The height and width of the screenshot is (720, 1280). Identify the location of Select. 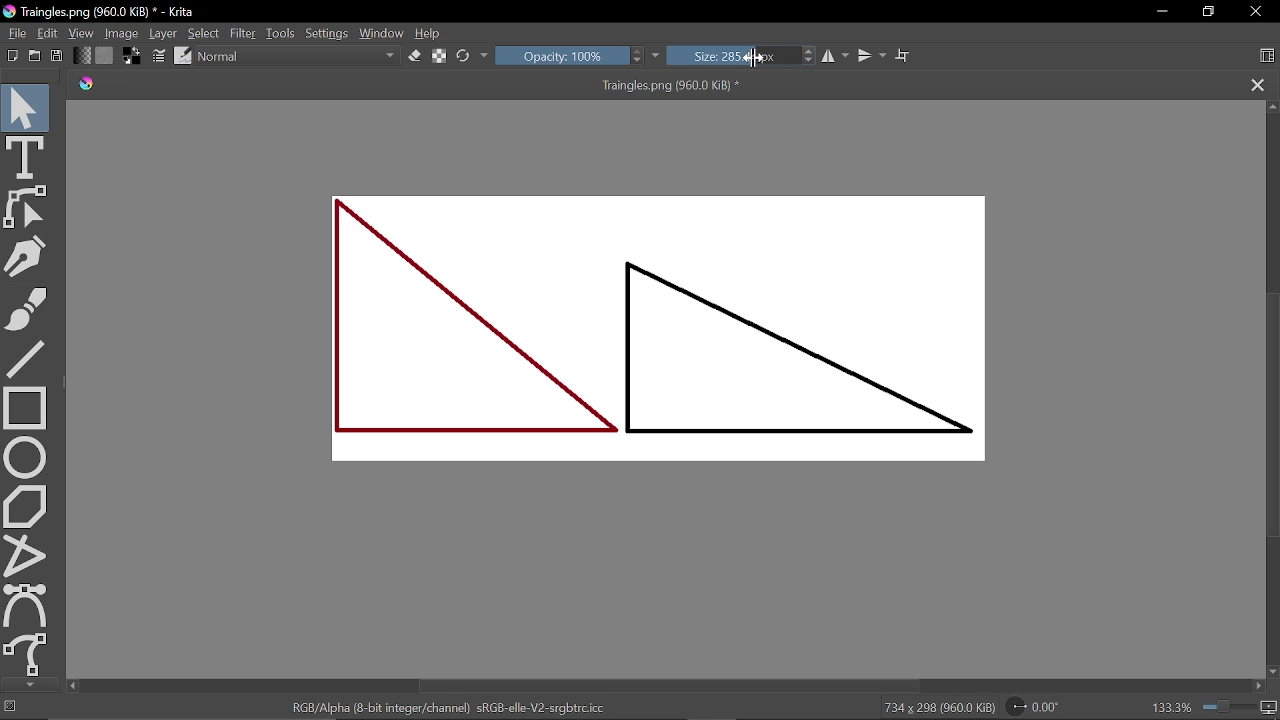
(204, 34).